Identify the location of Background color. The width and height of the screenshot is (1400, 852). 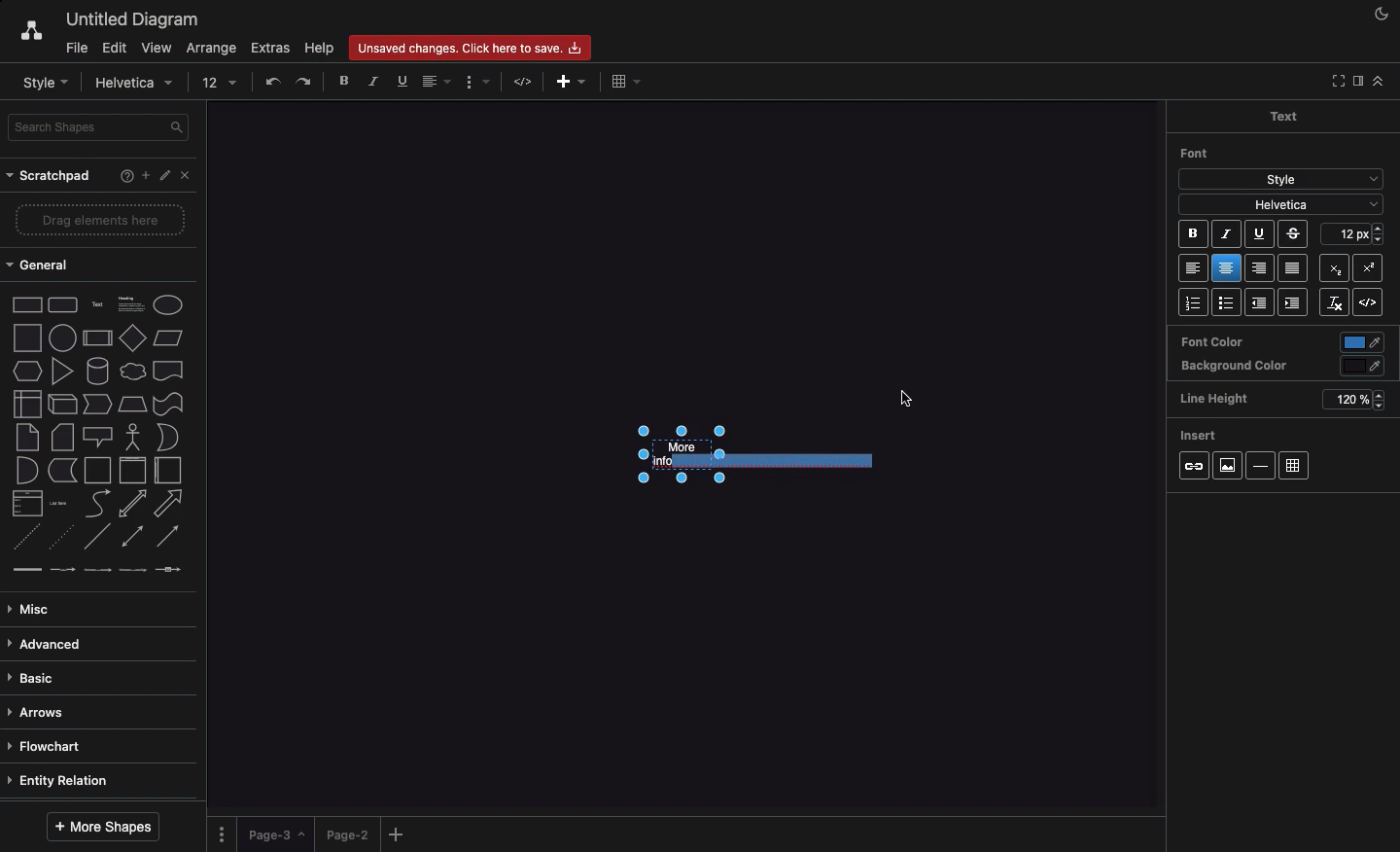
(1235, 367).